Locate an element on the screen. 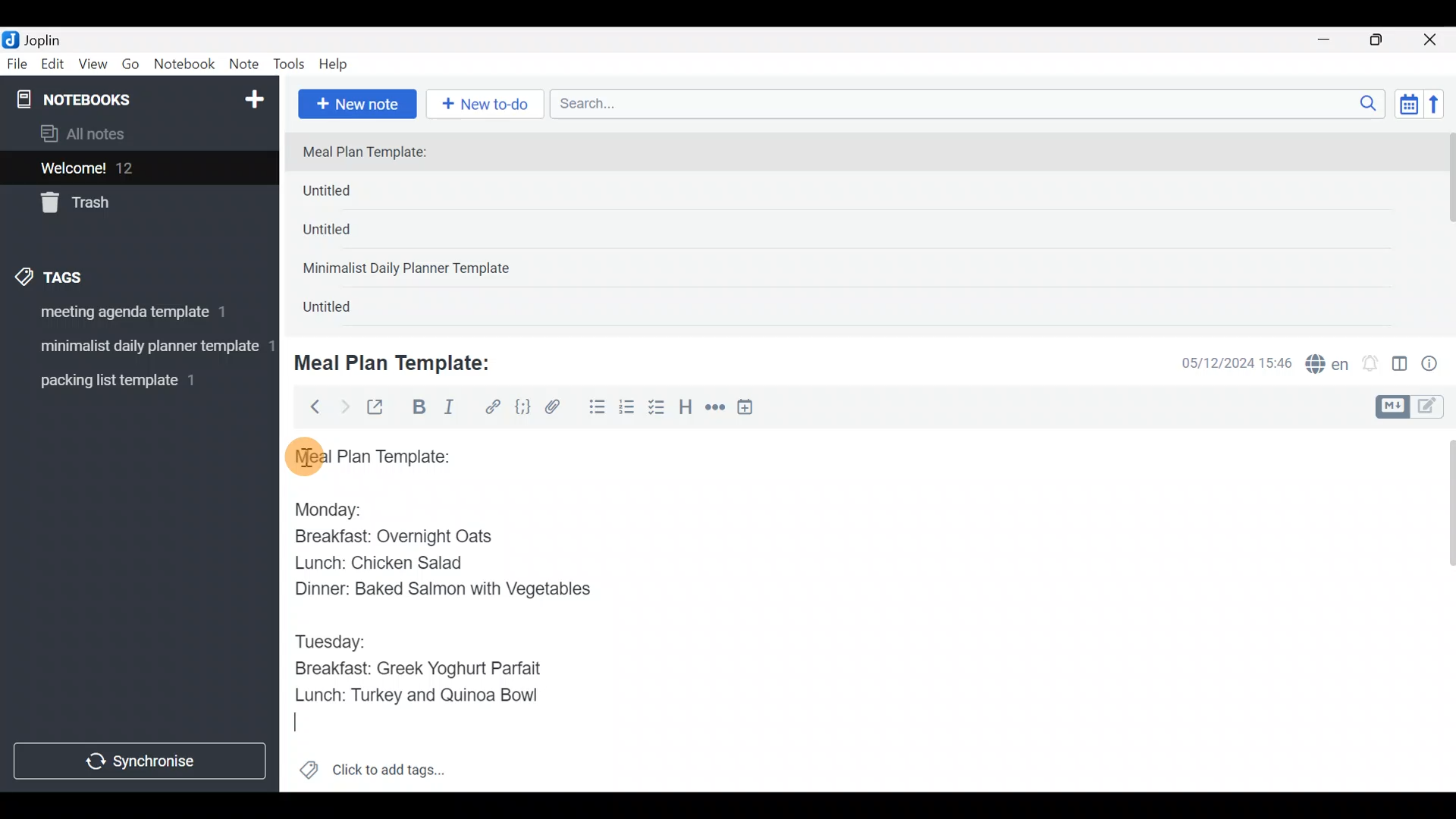 The width and height of the screenshot is (1456, 819). Welcome! is located at coordinates (137, 169).